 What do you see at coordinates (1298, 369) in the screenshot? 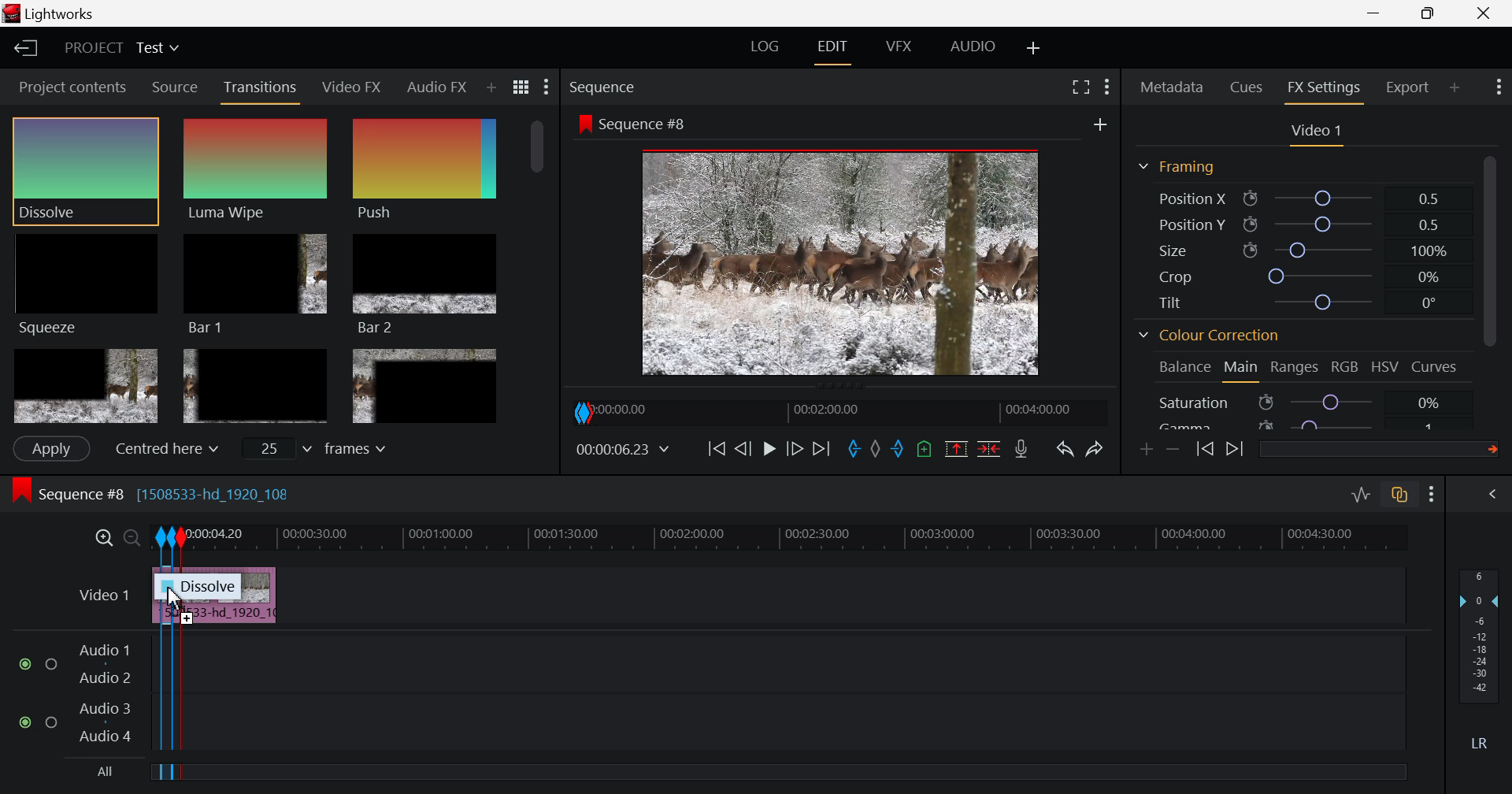
I see `Ranges` at bounding box center [1298, 369].